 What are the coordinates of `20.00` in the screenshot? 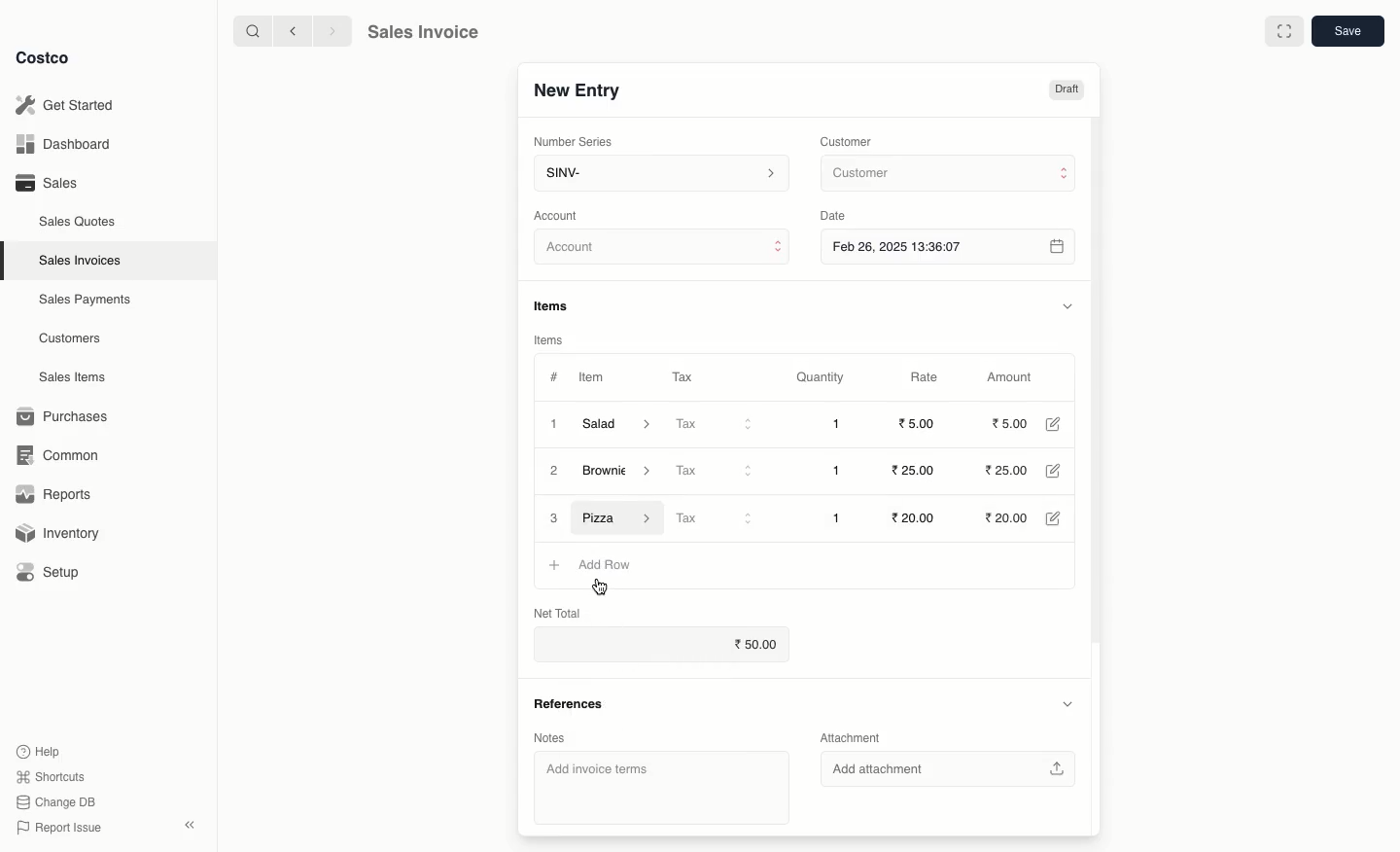 It's located at (914, 518).